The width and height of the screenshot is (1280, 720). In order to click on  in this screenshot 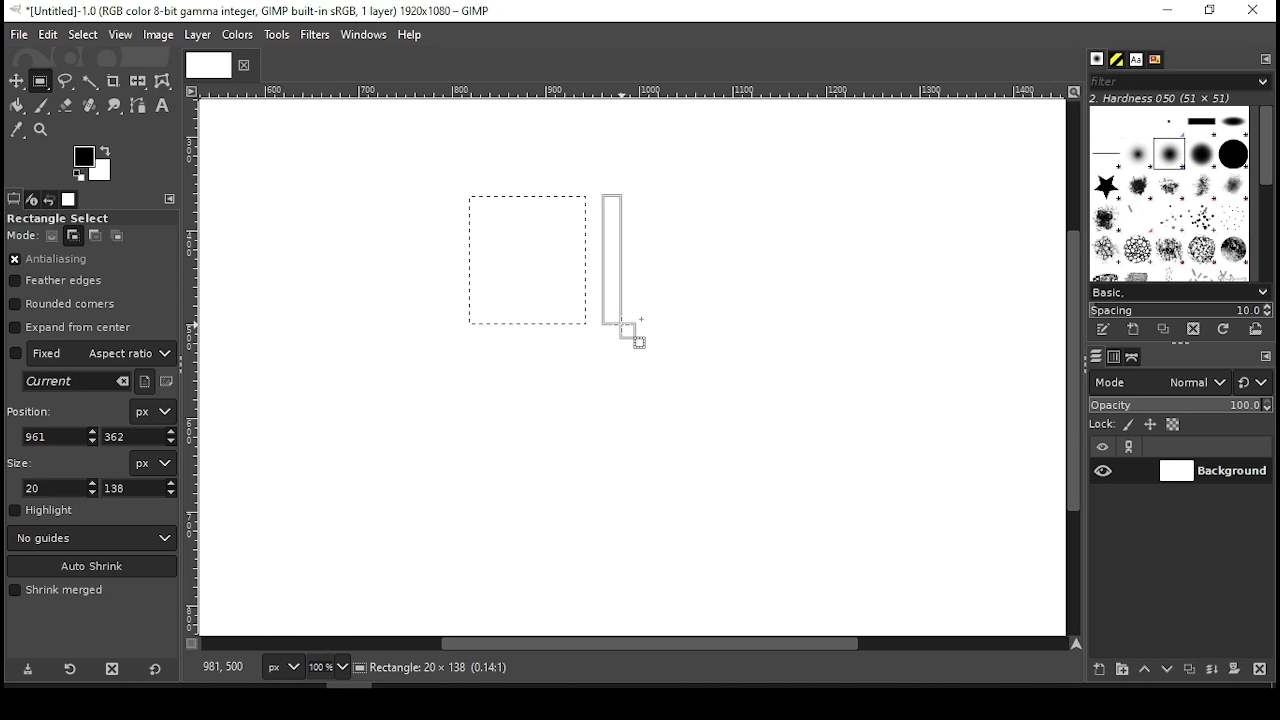, I will do `click(193, 367)`.